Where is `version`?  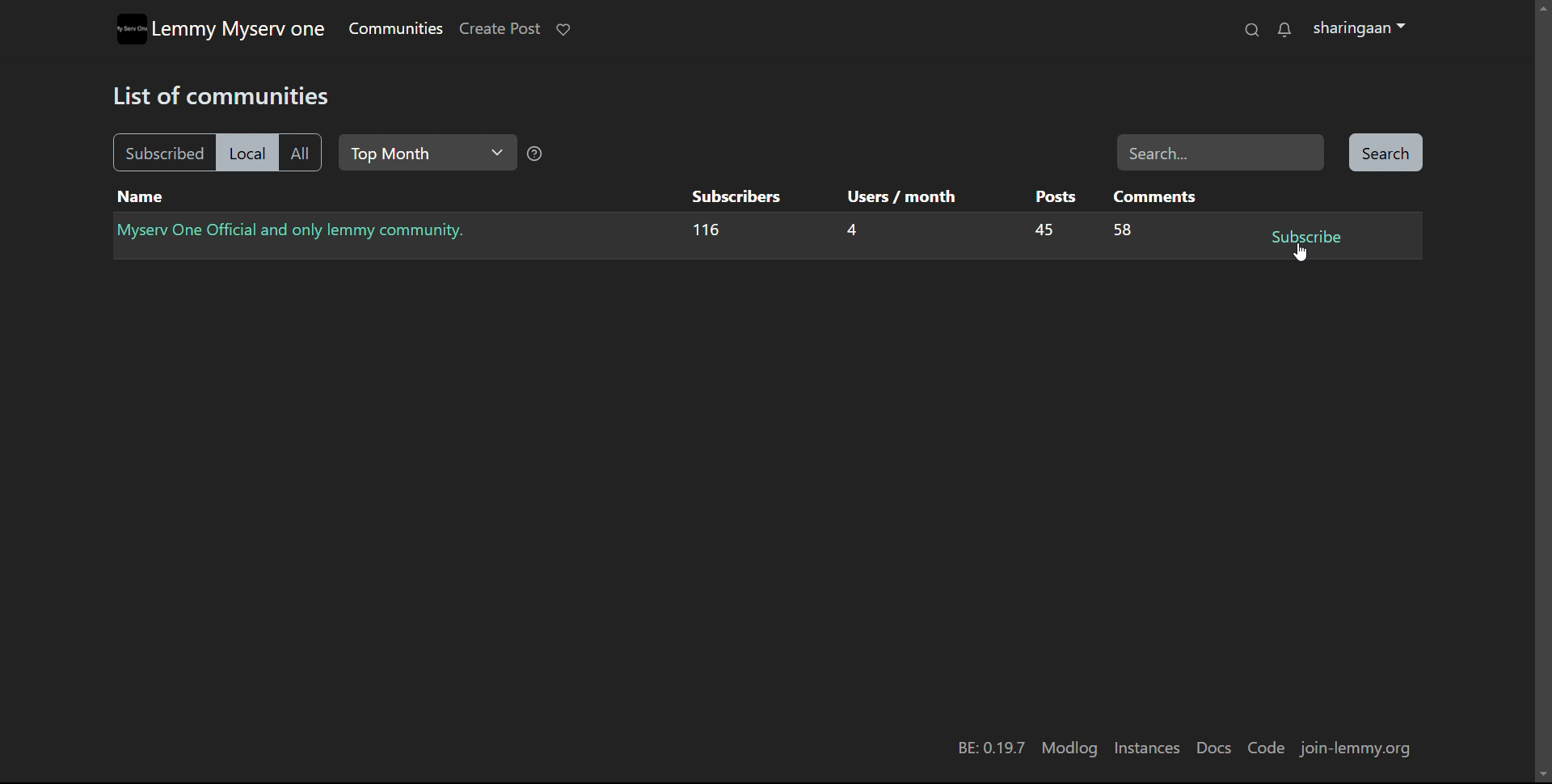 version is located at coordinates (989, 749).